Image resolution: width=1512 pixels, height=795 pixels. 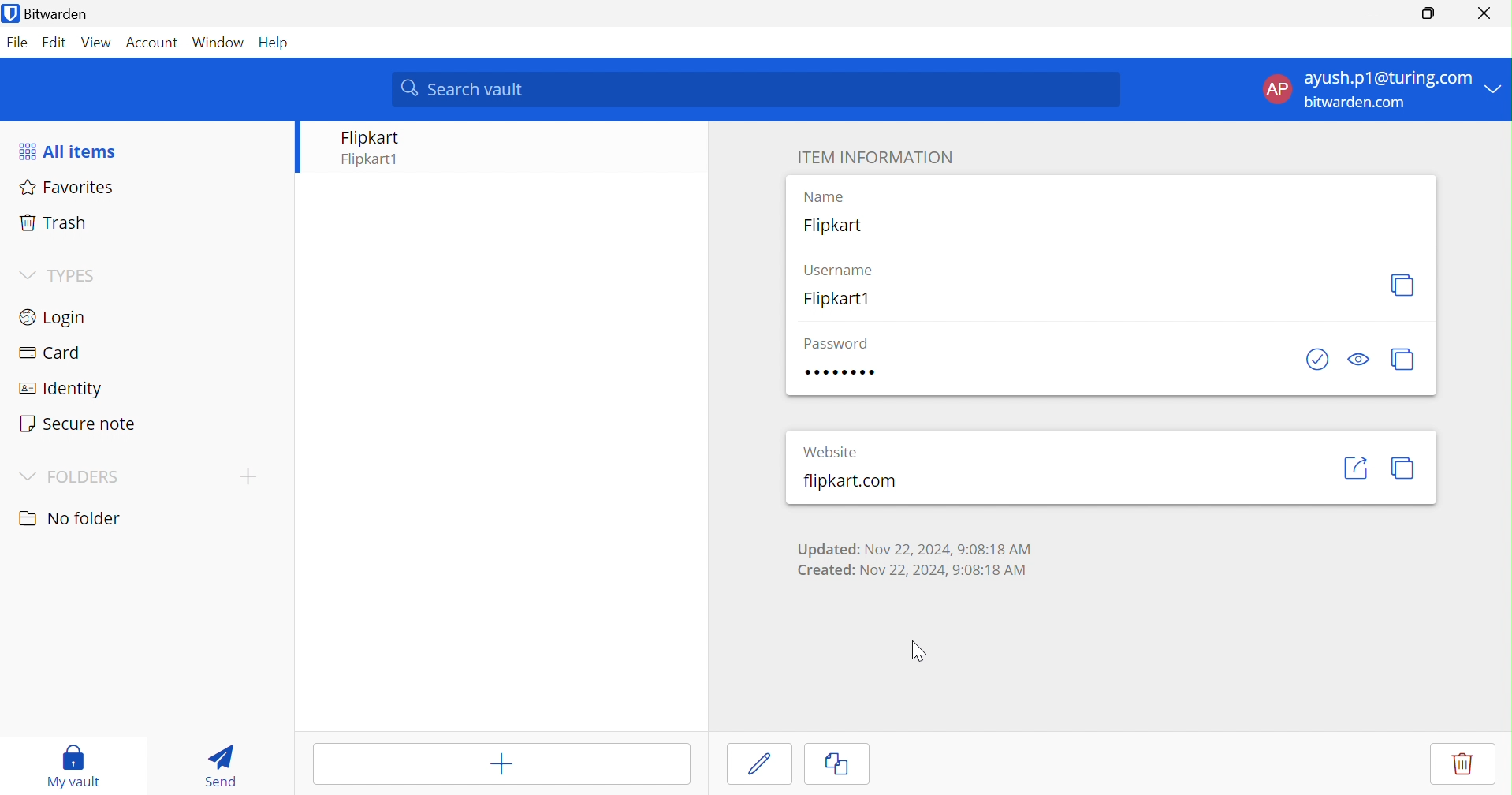 I want to click on Copy Username, so click(x=1404, y=283).